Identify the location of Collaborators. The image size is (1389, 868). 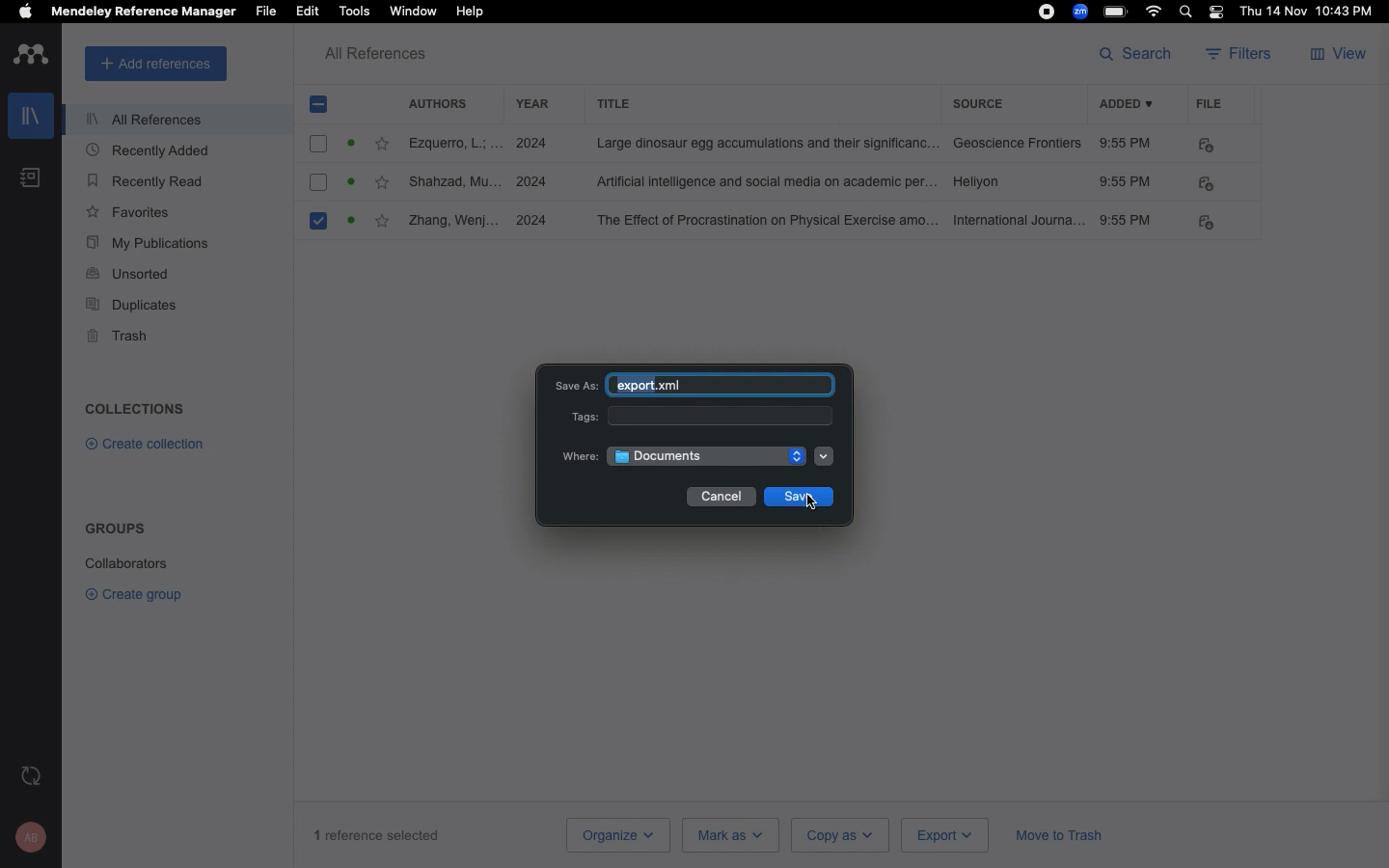
(125, 563).